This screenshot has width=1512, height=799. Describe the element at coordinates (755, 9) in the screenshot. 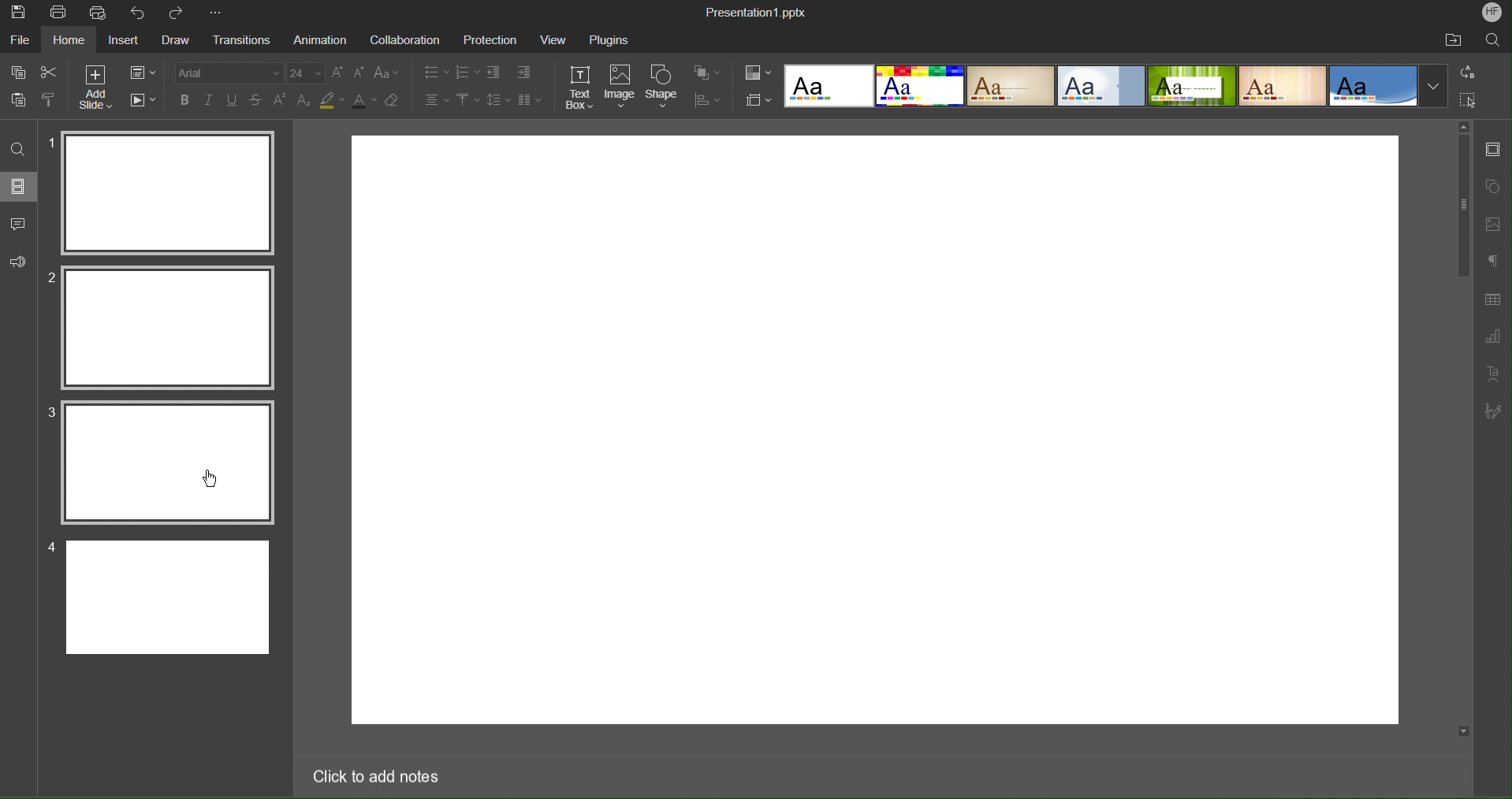

I see `Presentation1` at that location.